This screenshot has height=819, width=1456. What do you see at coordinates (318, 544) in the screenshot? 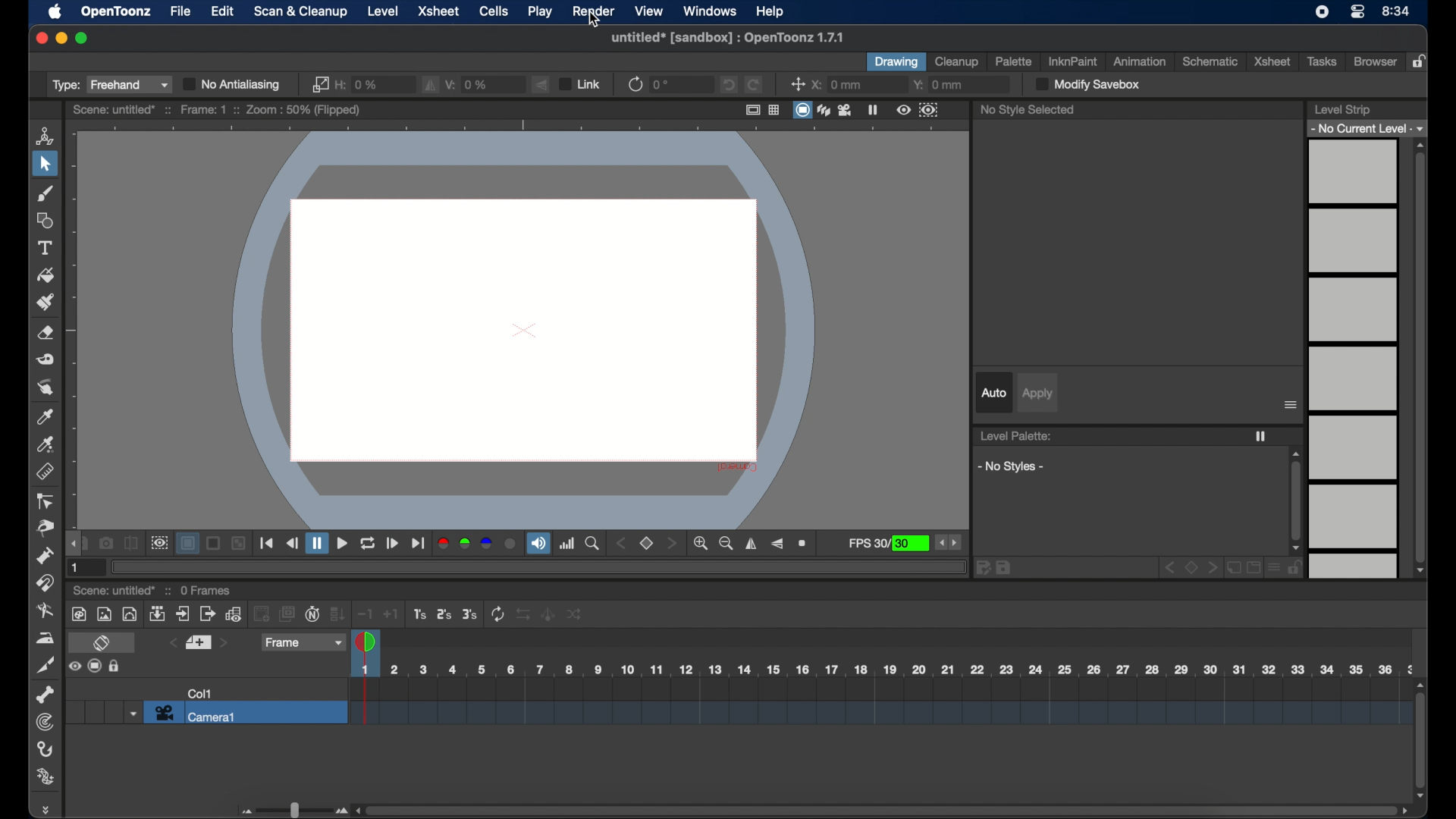
I see `` at bounding box center [318, 544].